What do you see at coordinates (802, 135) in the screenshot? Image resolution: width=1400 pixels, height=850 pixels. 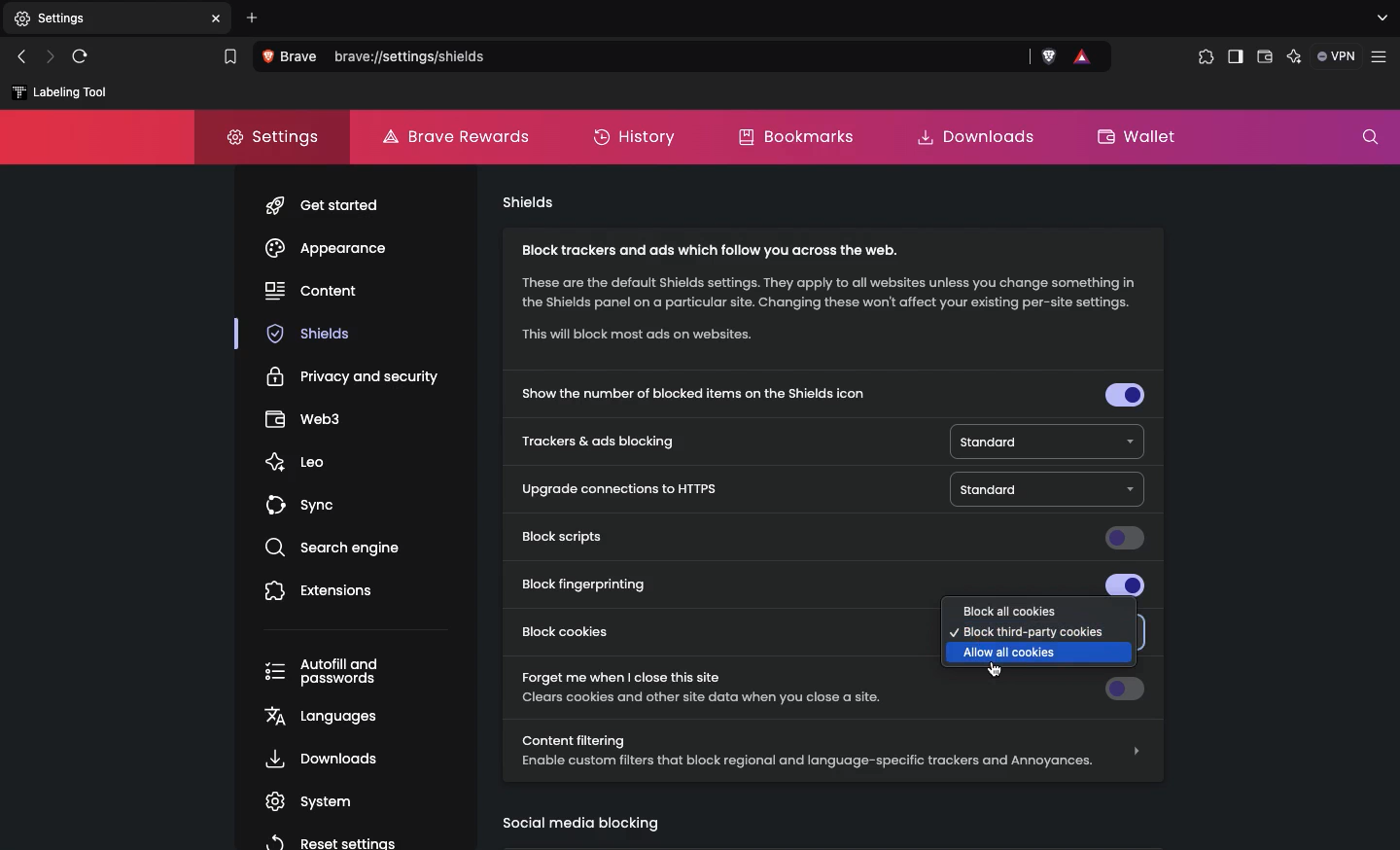 I see `Bookmarks` at bounding box center [802, 135].